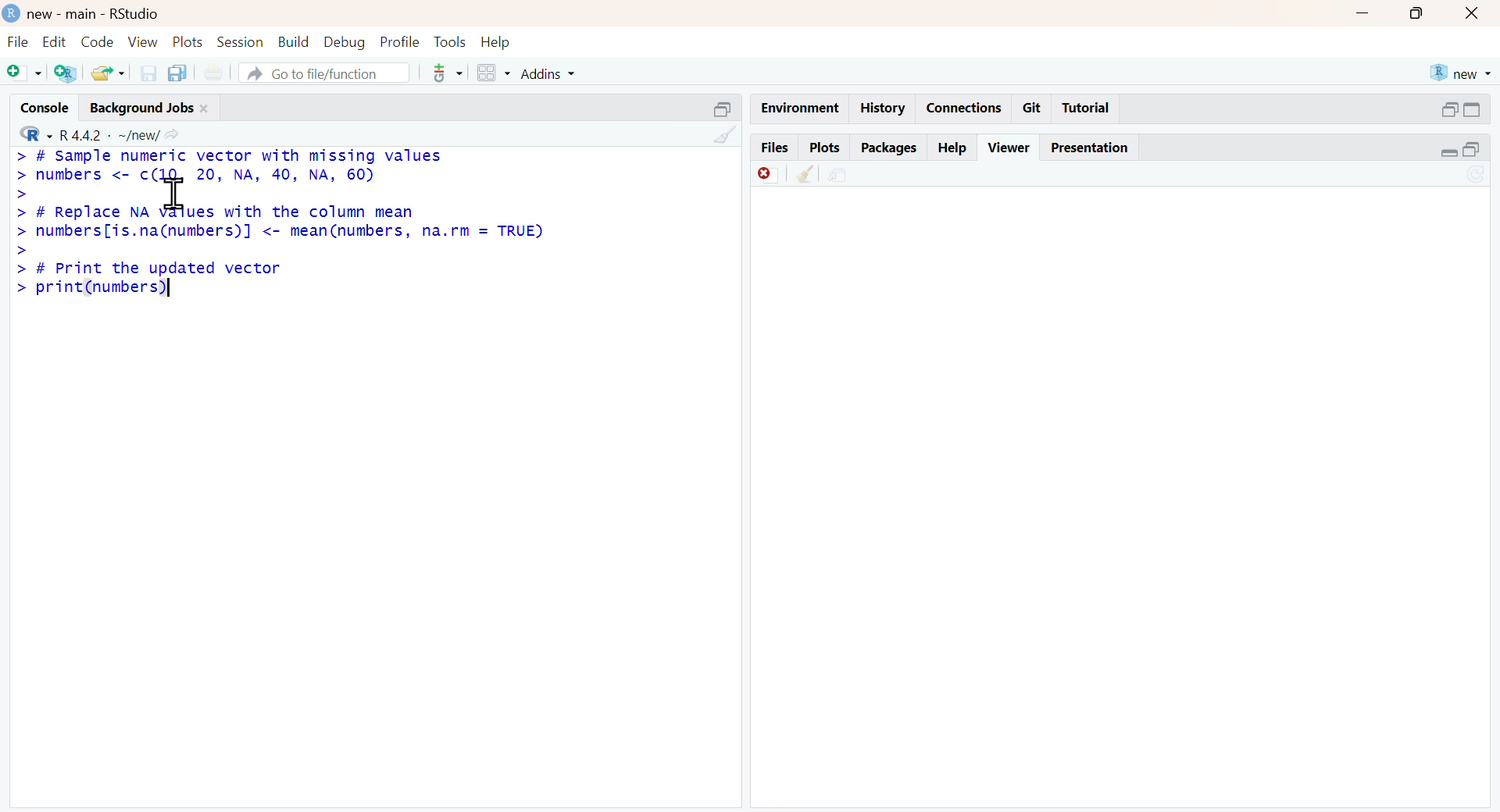  I want to click on grid, so click(495, 72).